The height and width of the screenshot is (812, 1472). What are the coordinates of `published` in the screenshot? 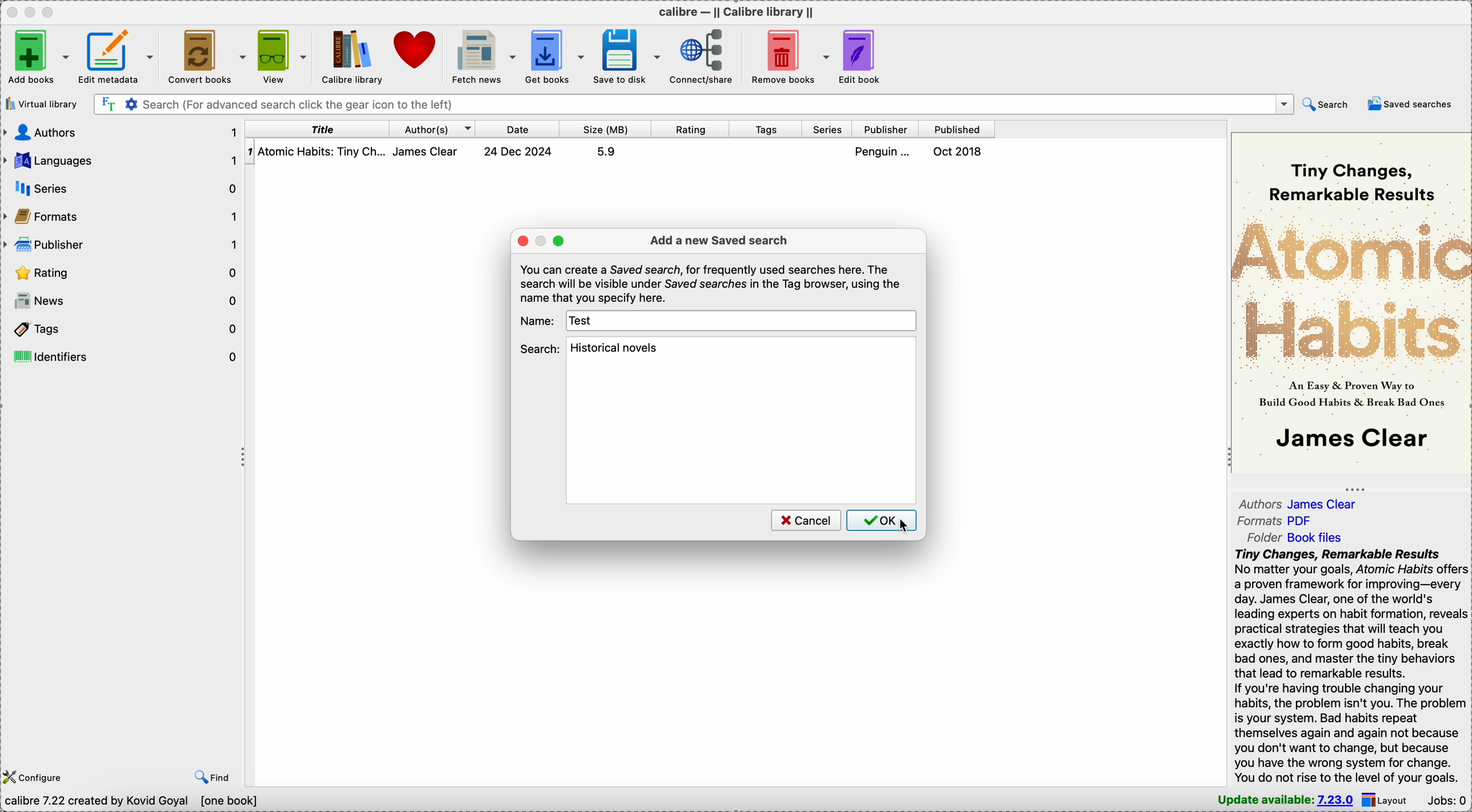 It's located at (957, 129).